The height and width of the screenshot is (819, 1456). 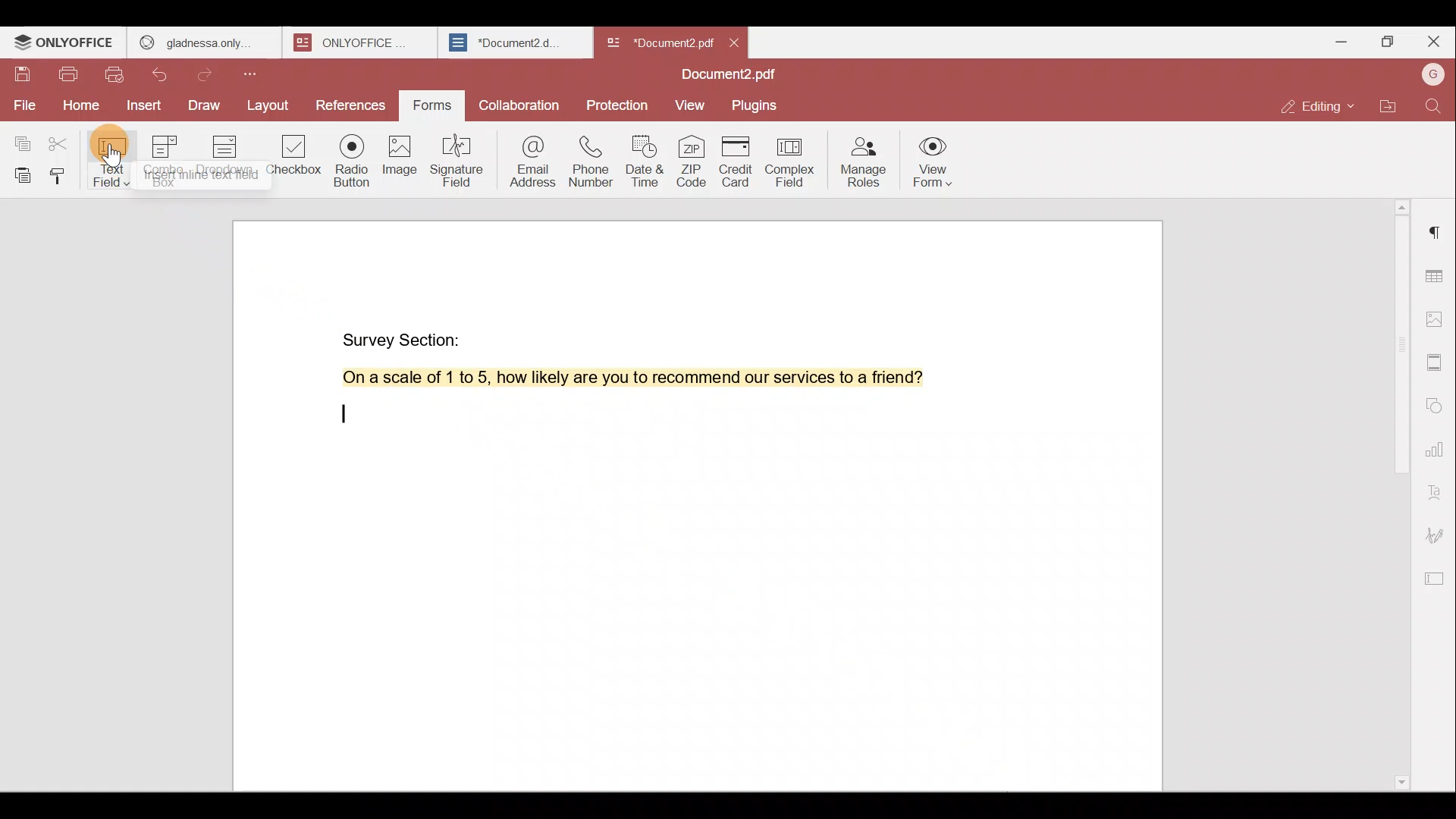 I want to click on Survey Section:, so click(x=406, y=339).